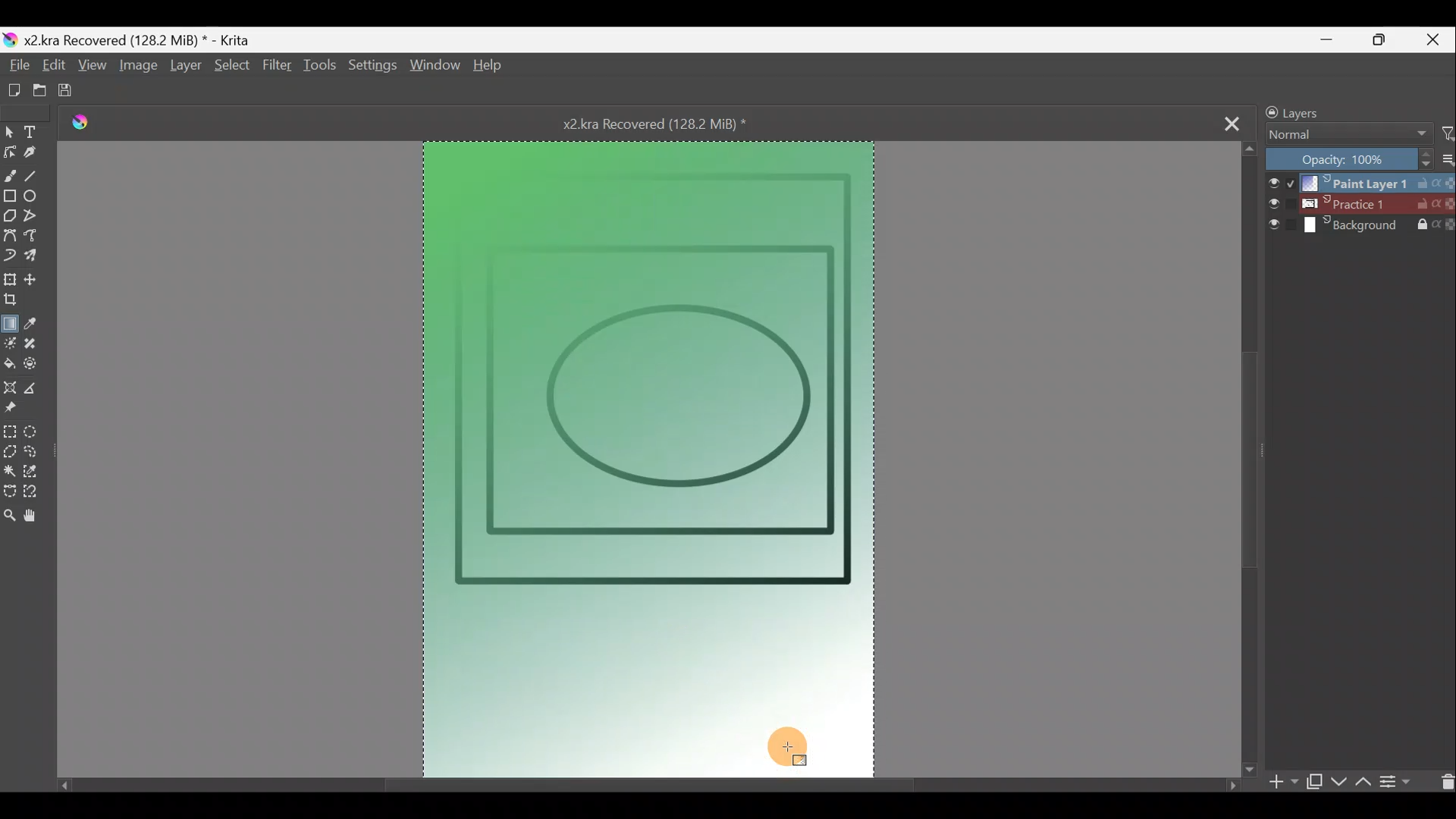 This screenshot has height=819, width=1456. What do you see at coordinates (670, 123) in the screenshot?
I see `Document name` at bounding box center [670, 123].